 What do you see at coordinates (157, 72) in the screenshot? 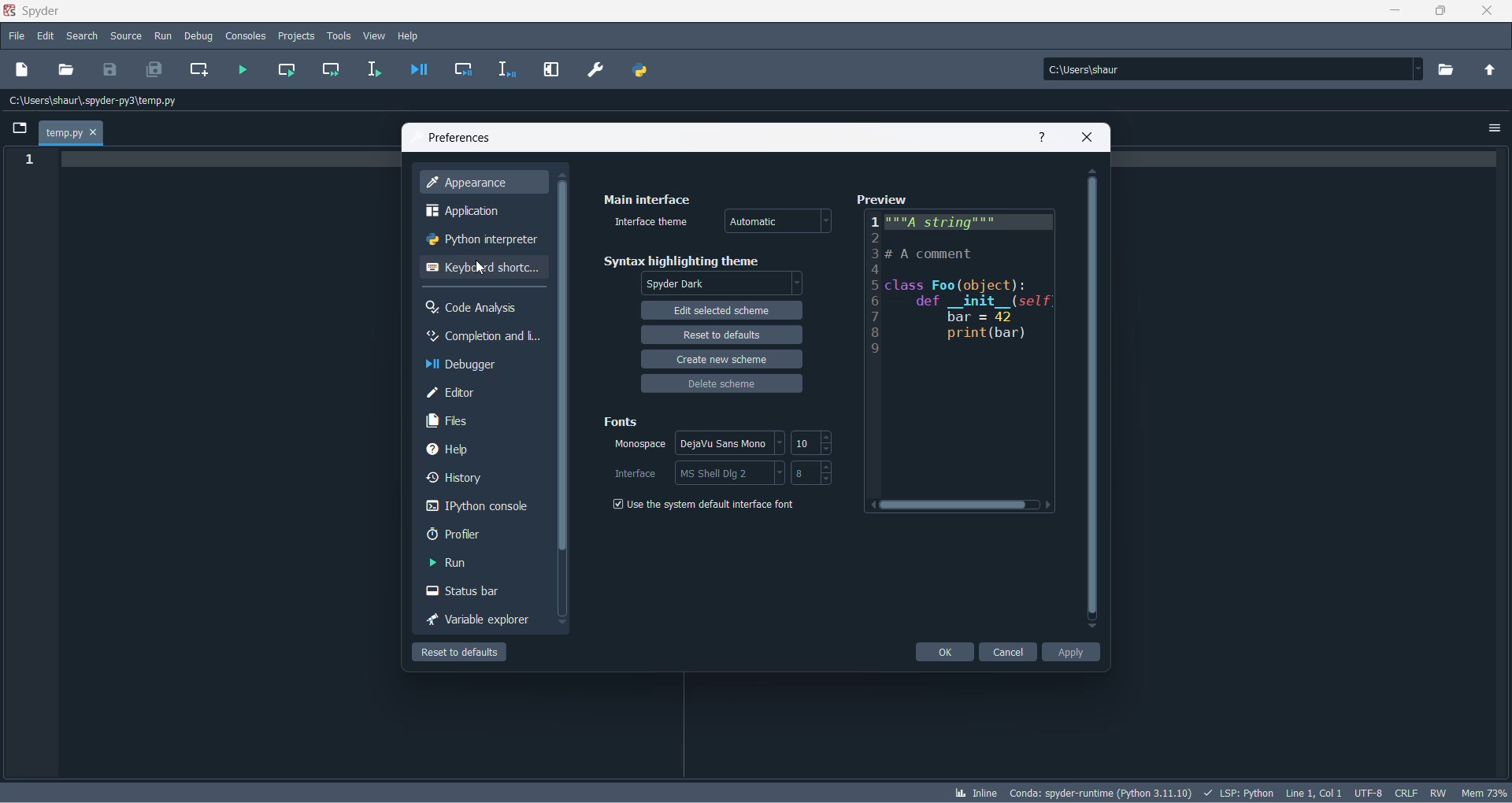
I see `save all` at bounding box center [157, 72].